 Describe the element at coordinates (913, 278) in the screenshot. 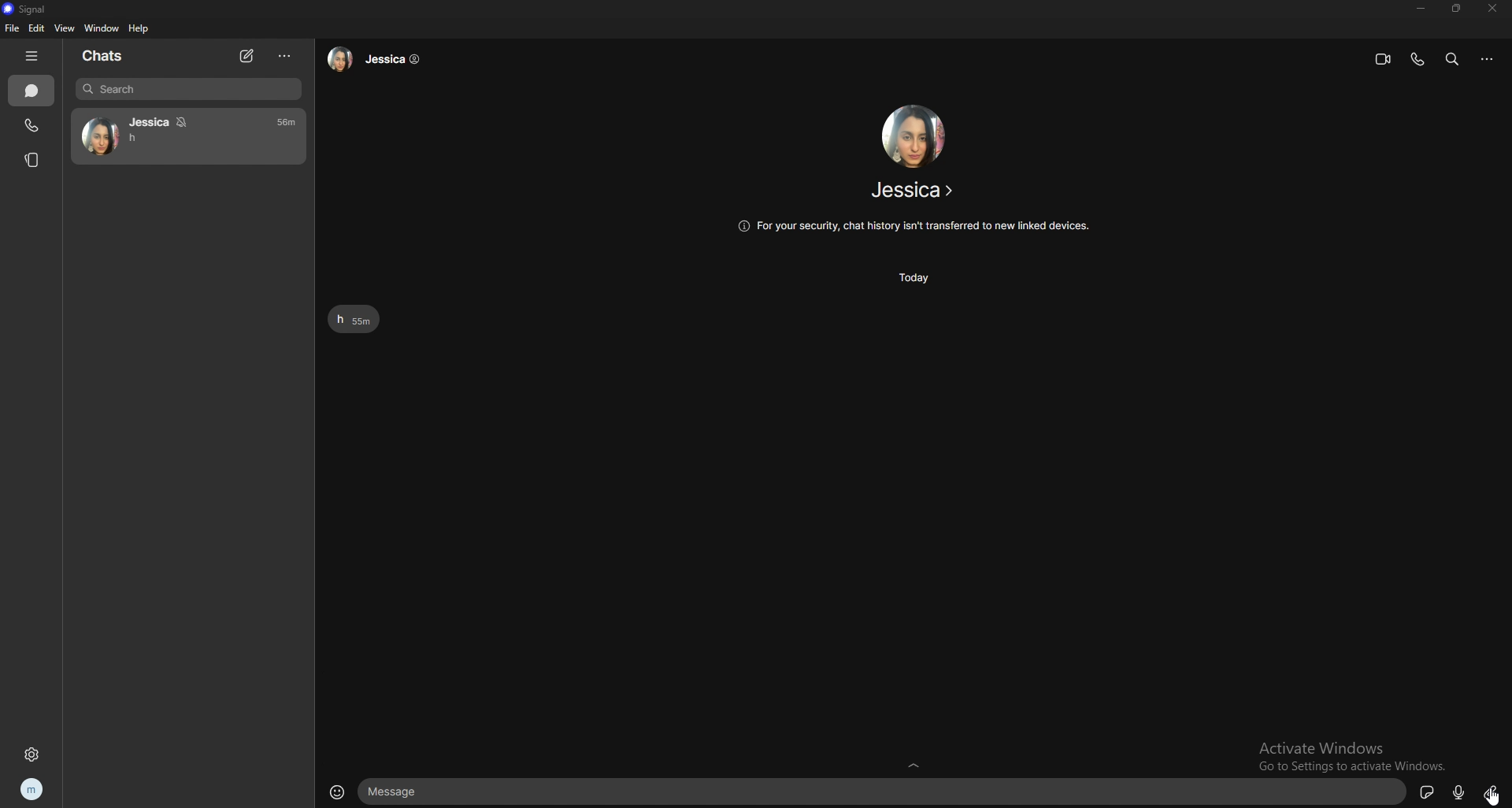

I see `time` at that location.